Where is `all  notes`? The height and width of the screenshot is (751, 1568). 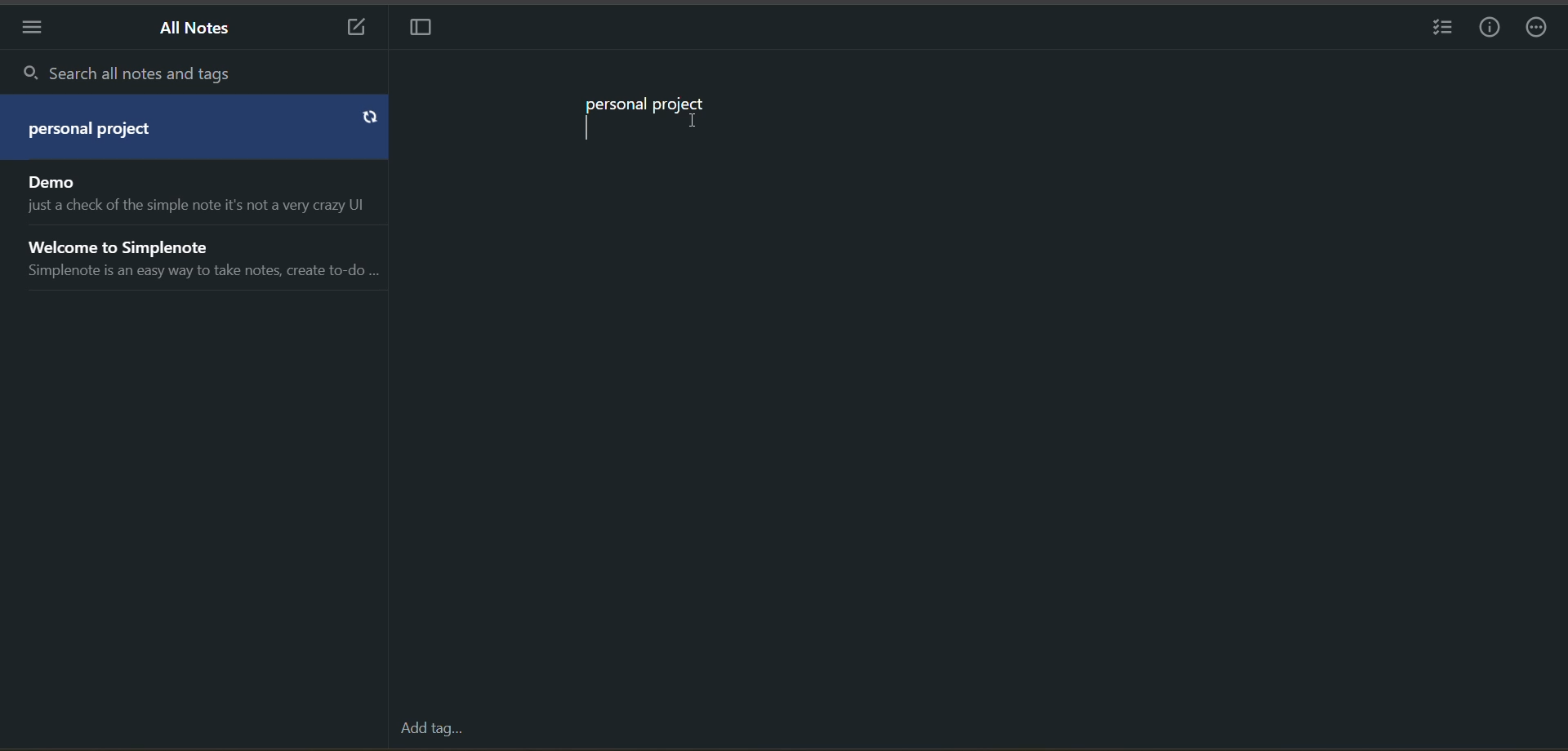
all  notes is located at coordinates (198, 28).